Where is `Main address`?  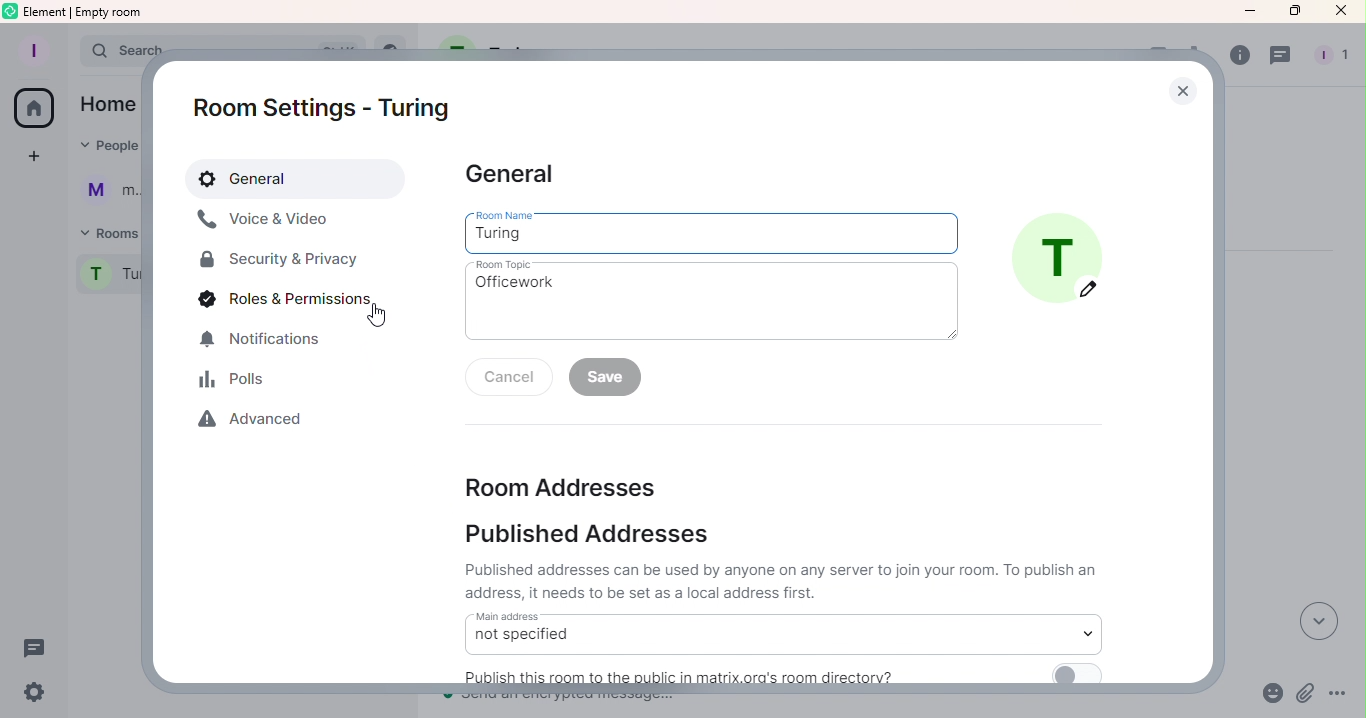 Main address is located at coordinates (782, 632).